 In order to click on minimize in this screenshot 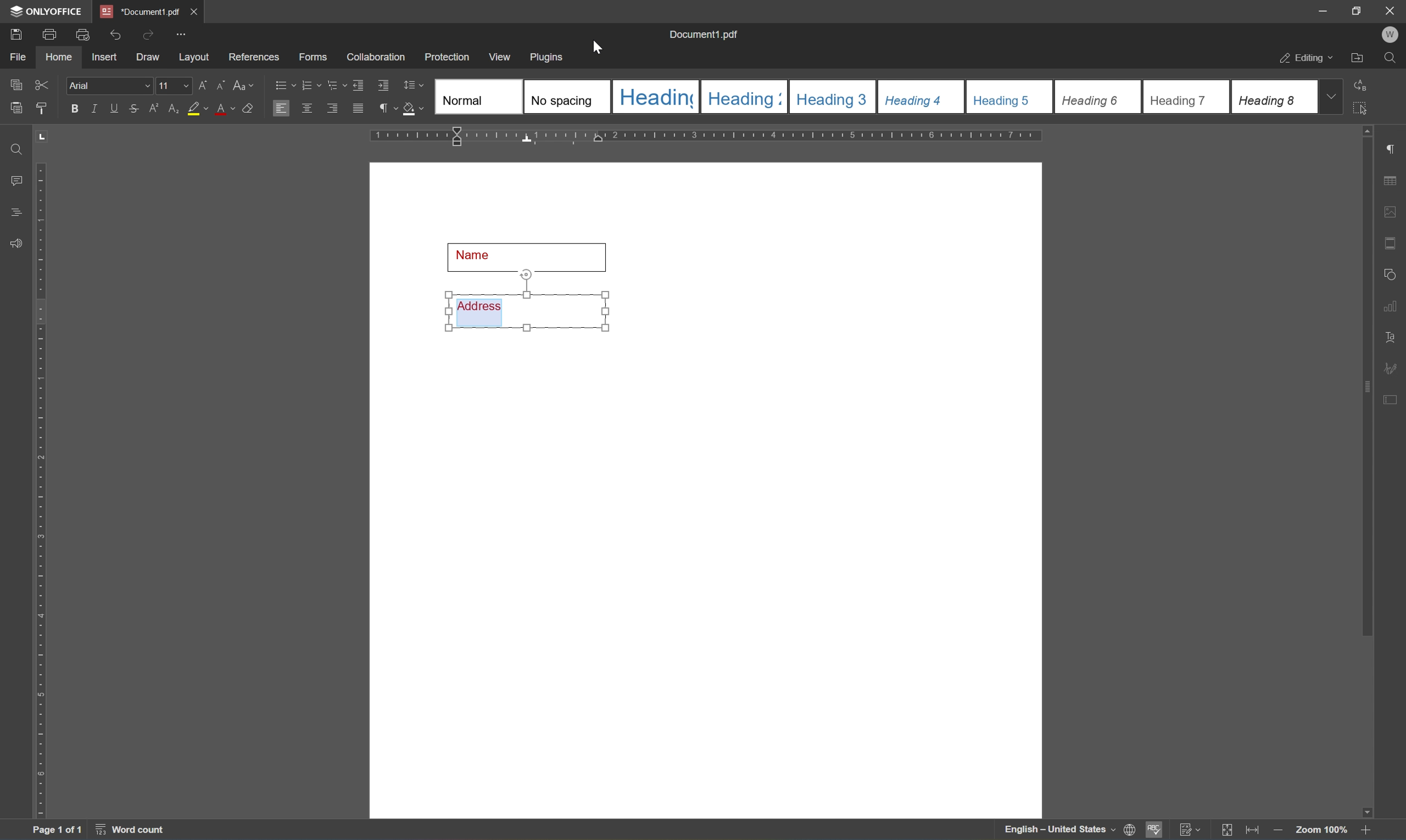, I will do `click(1323, 10)`.